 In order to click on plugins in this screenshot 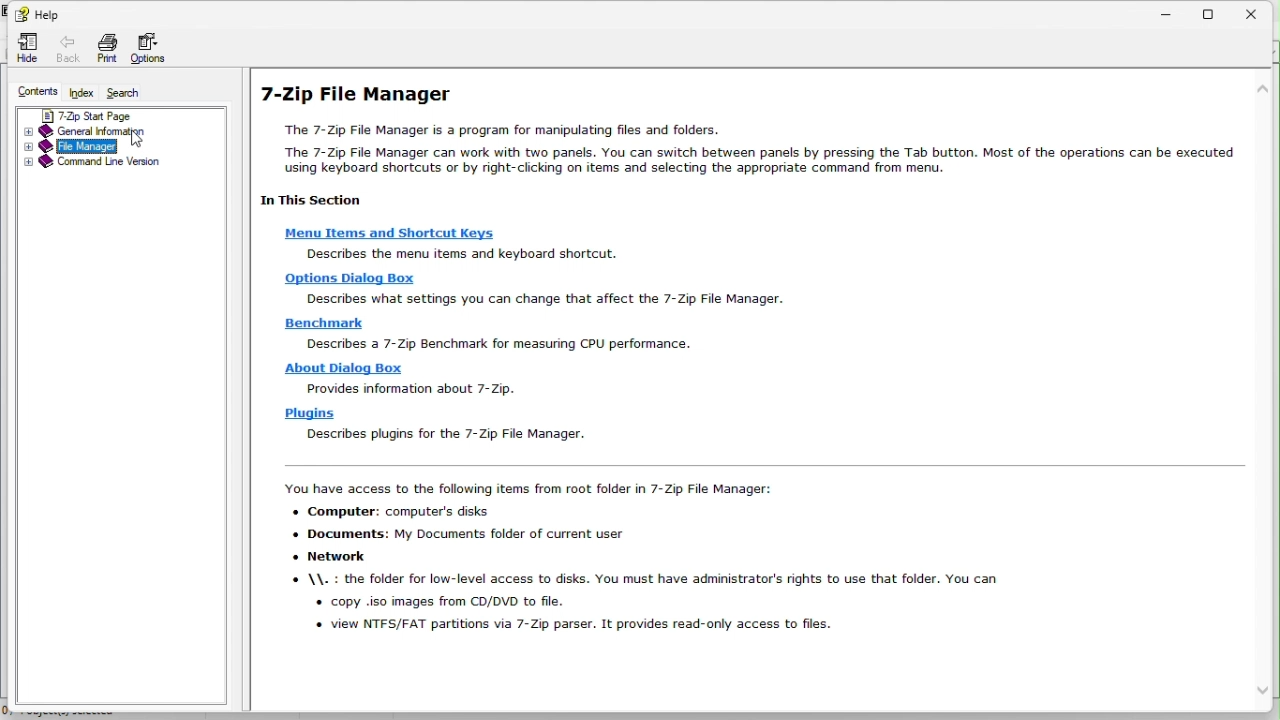, I will do `click(311, 412)`.